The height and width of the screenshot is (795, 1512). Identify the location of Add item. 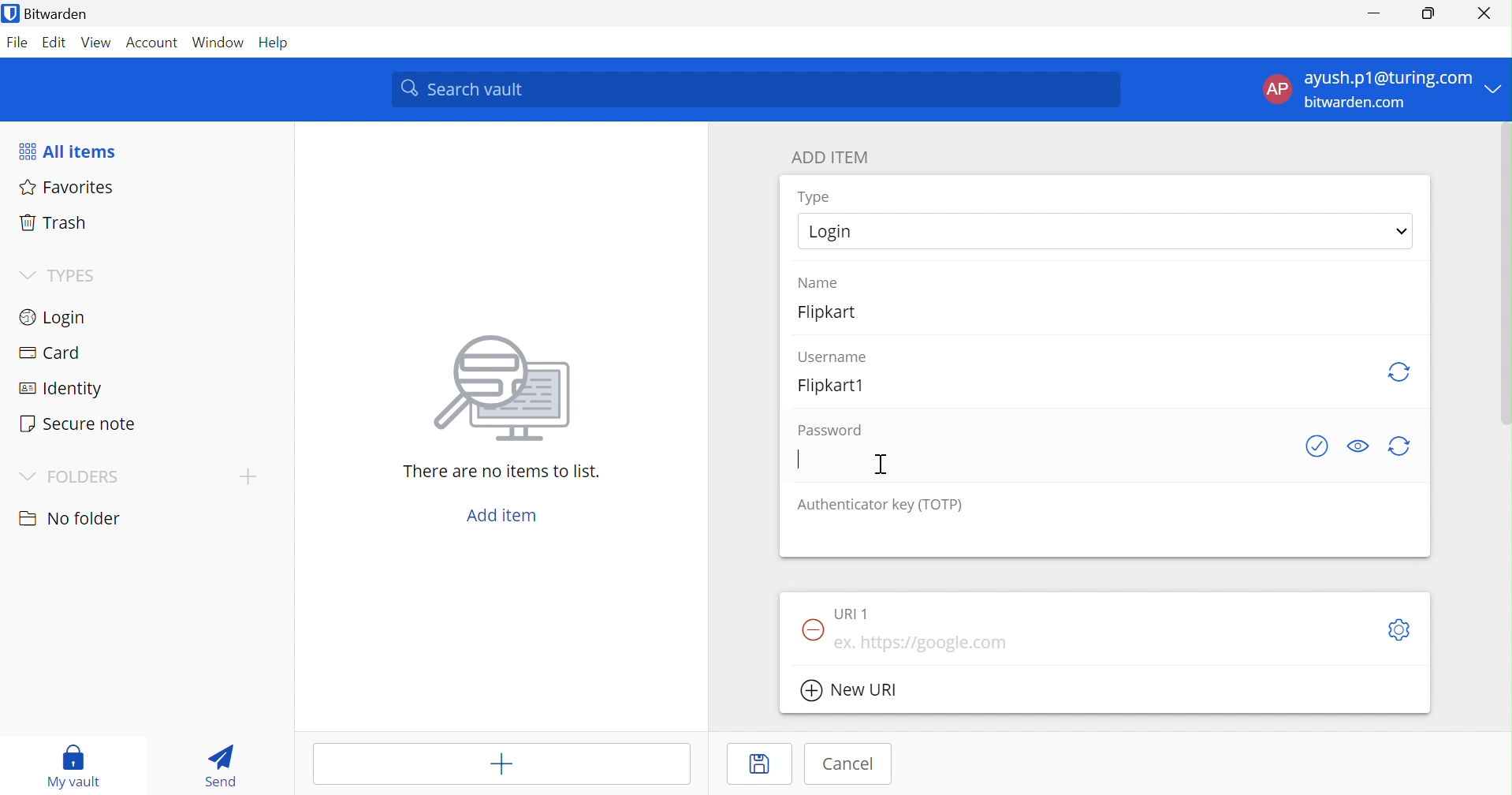
(501, 765).